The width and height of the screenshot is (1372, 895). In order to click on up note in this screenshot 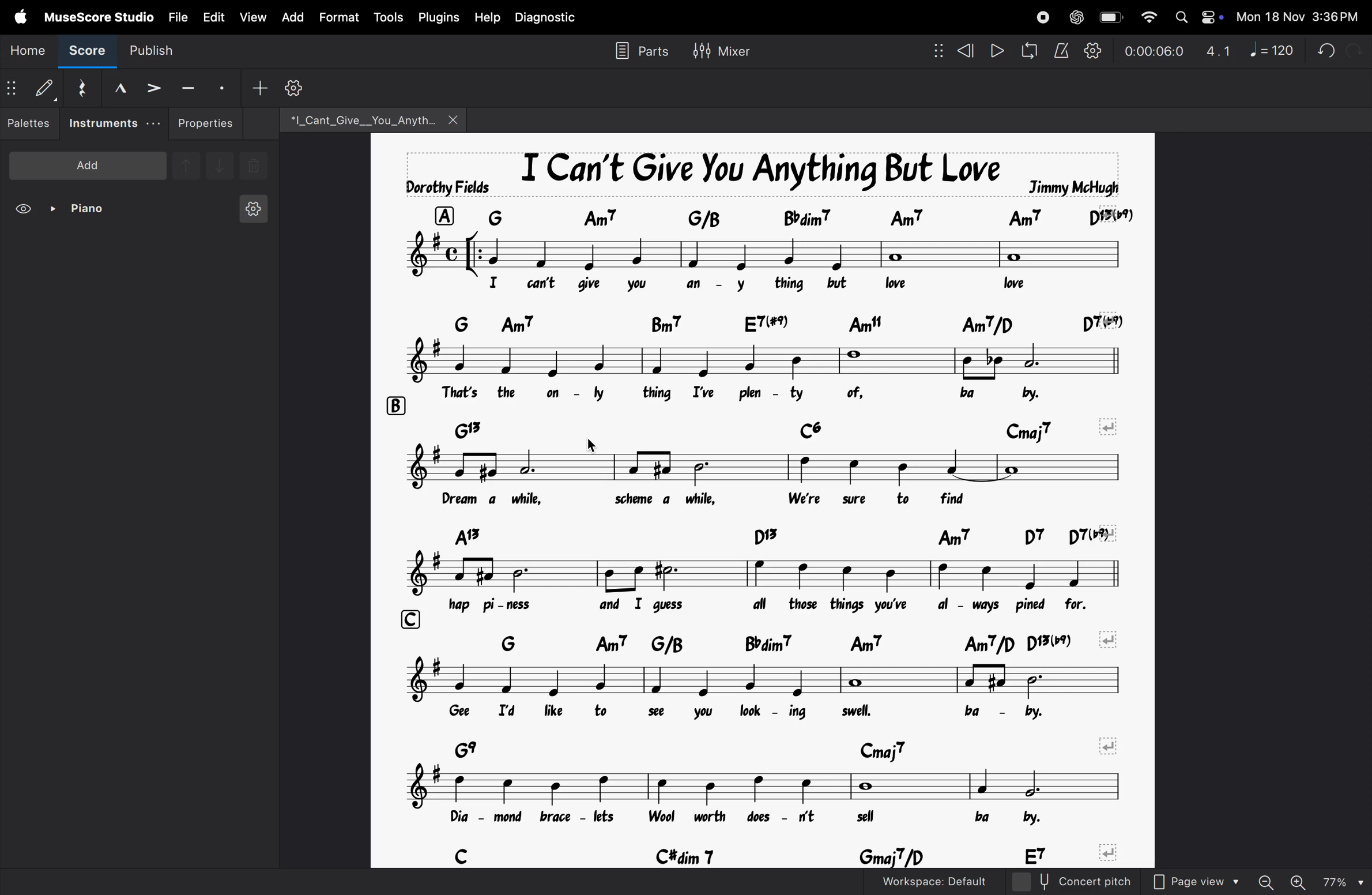, I will do `click(186, 166)`.